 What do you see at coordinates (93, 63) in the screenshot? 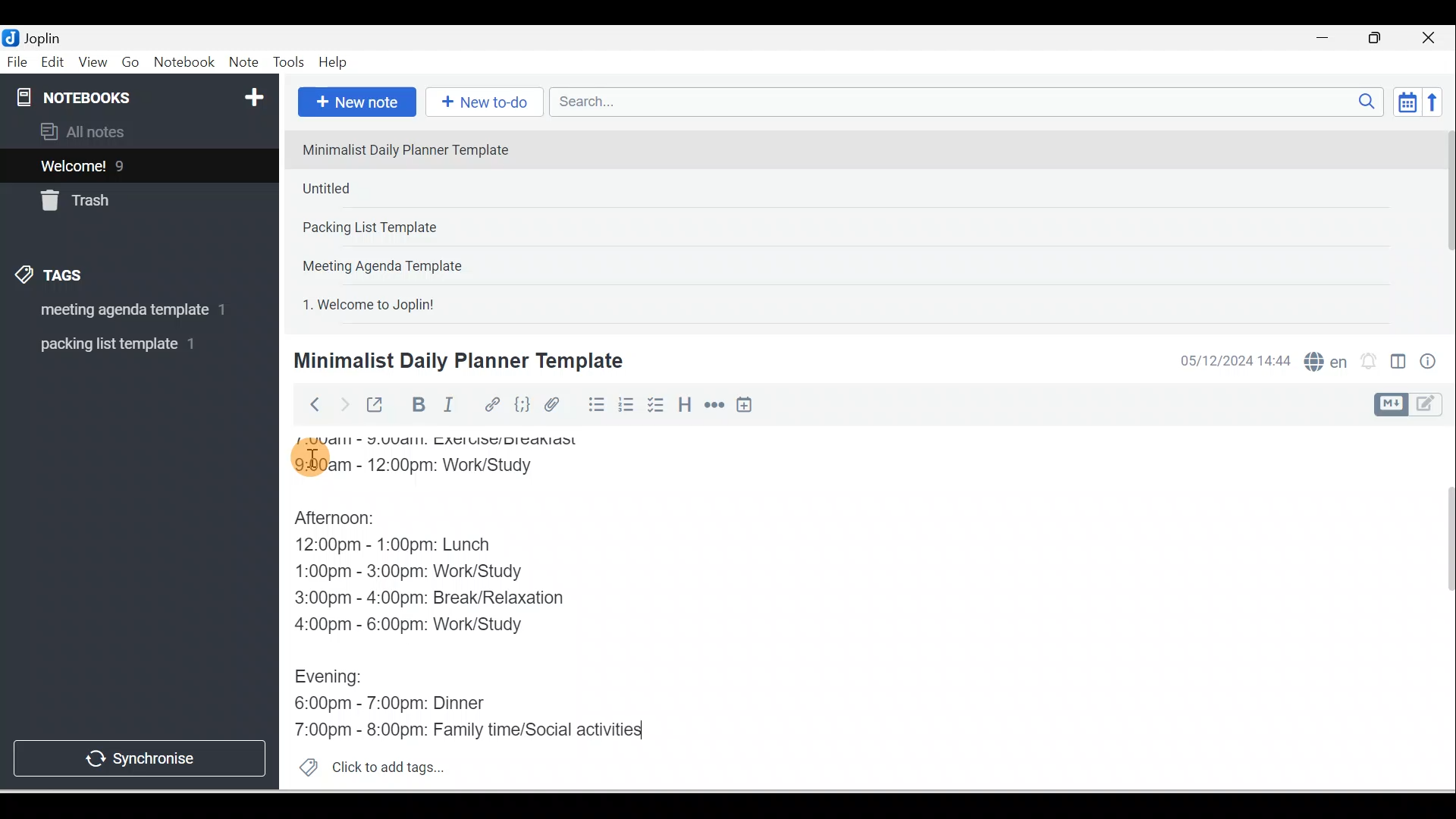
I see `View` at bounding box center [93, 63].